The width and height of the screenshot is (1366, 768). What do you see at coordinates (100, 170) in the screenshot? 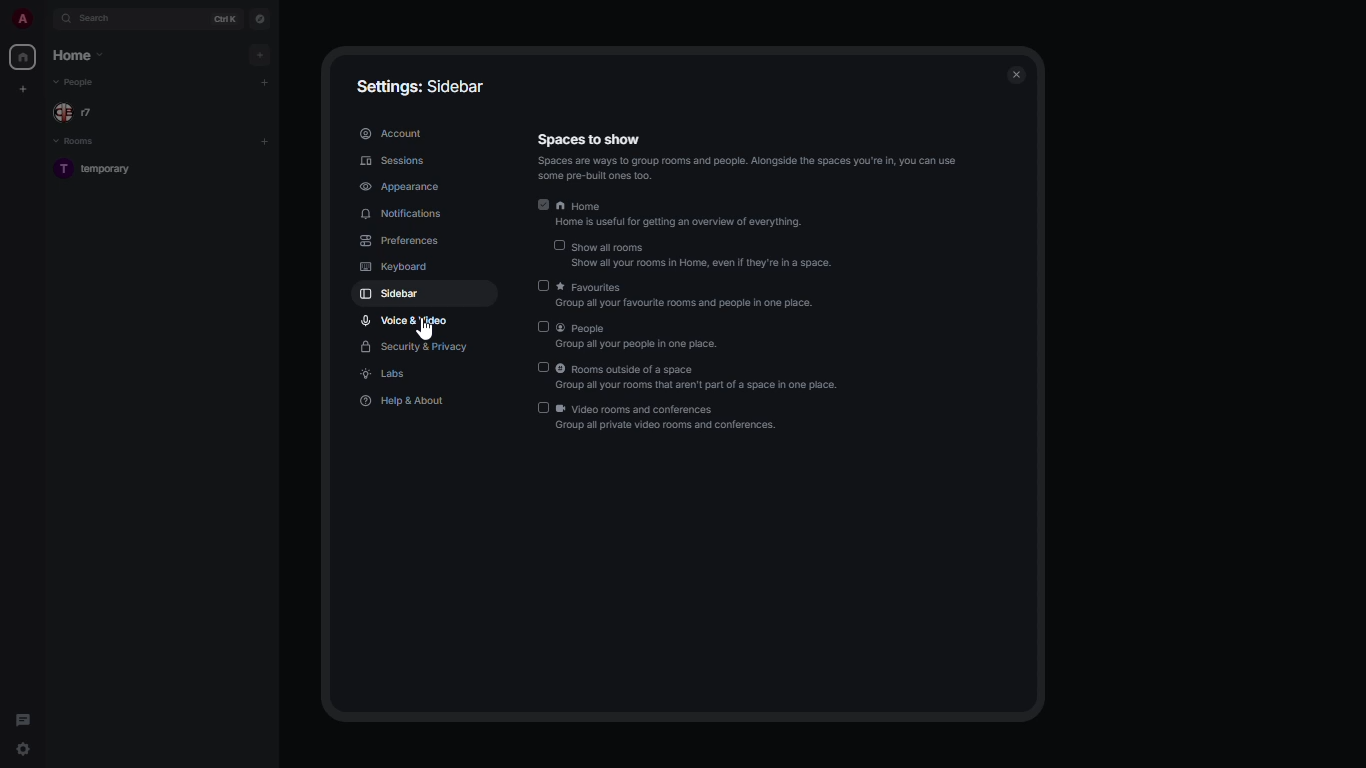
I see `room` at bounding box center [100, 170].